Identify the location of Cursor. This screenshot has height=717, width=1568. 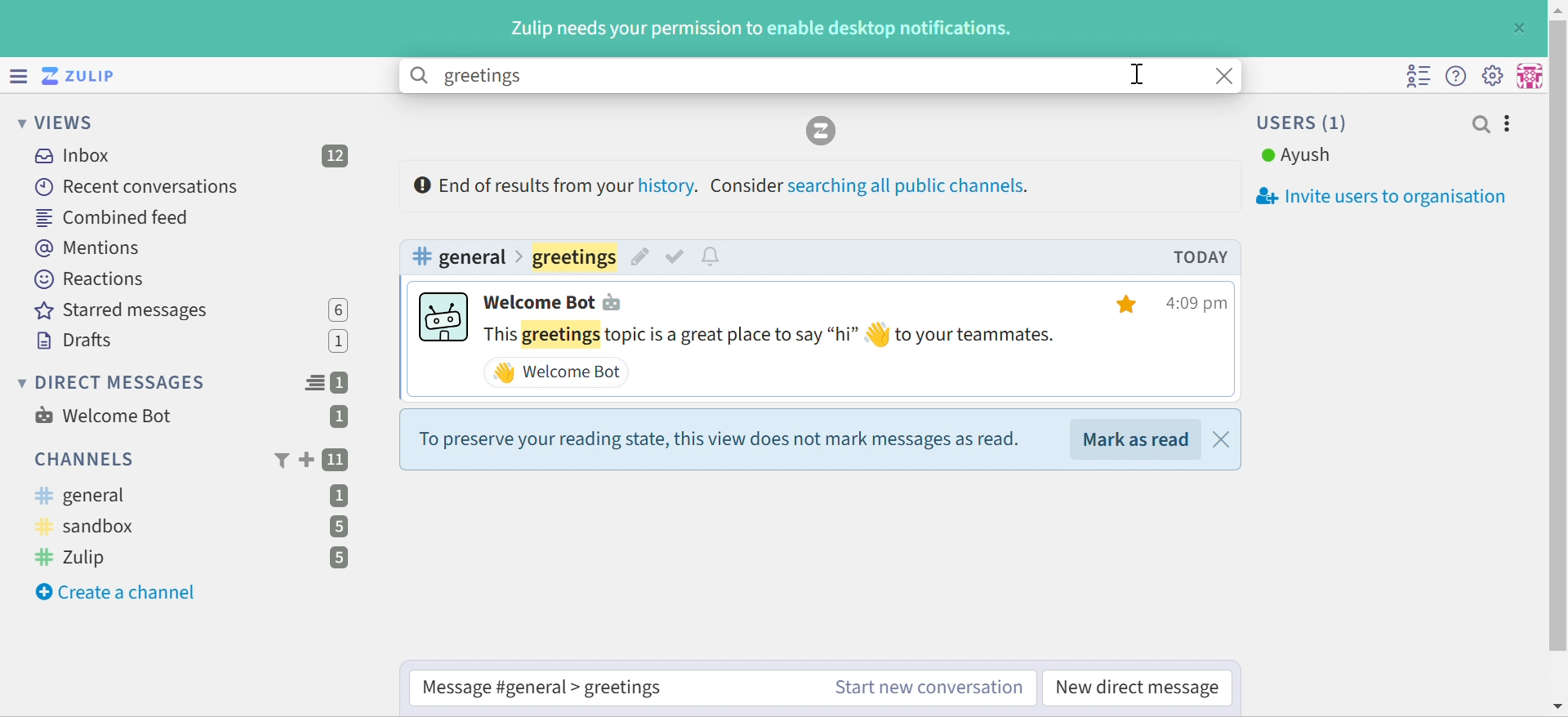
(1137, 73).